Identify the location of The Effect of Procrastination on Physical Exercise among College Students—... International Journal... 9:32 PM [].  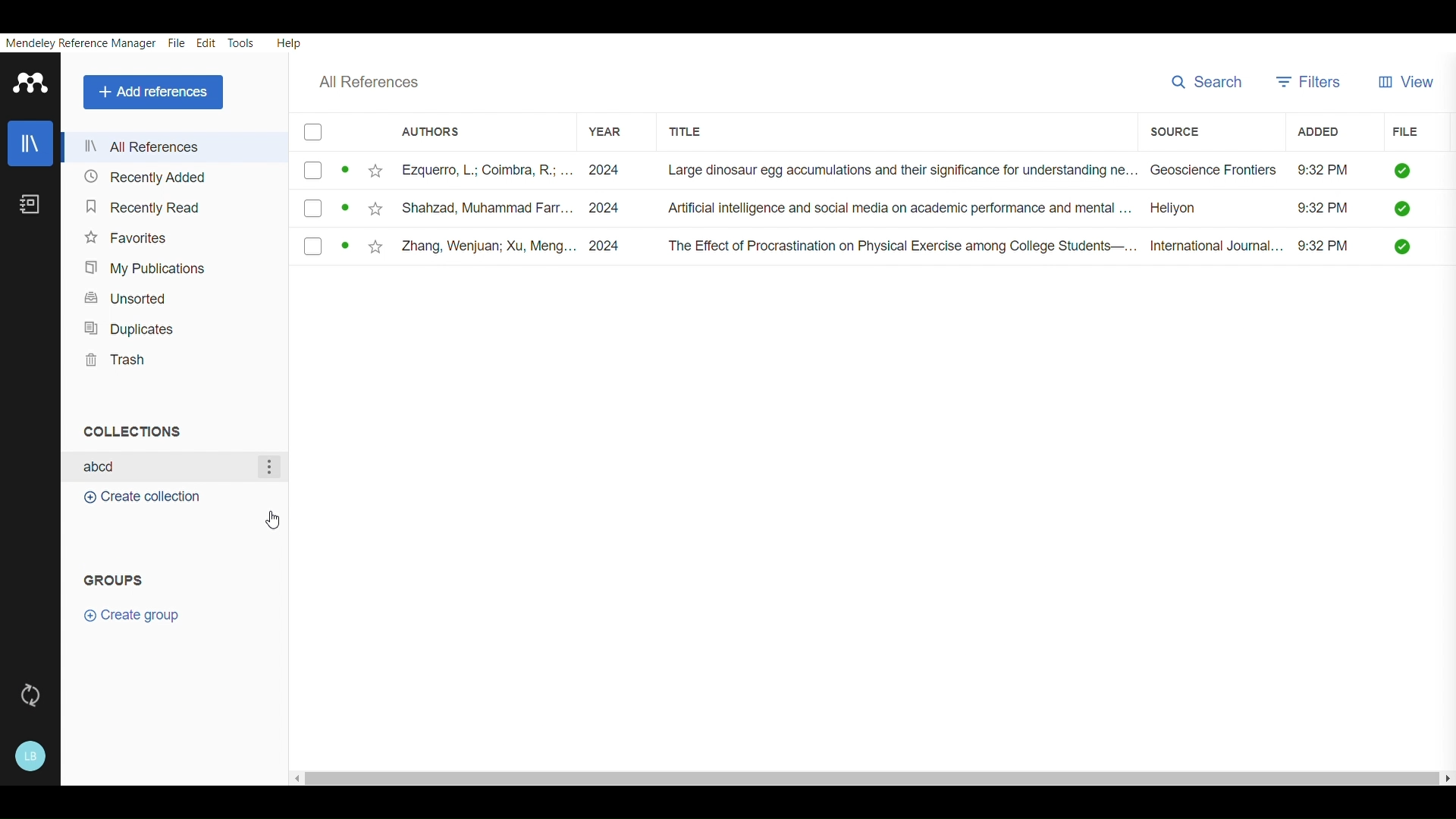
(1040, 246).